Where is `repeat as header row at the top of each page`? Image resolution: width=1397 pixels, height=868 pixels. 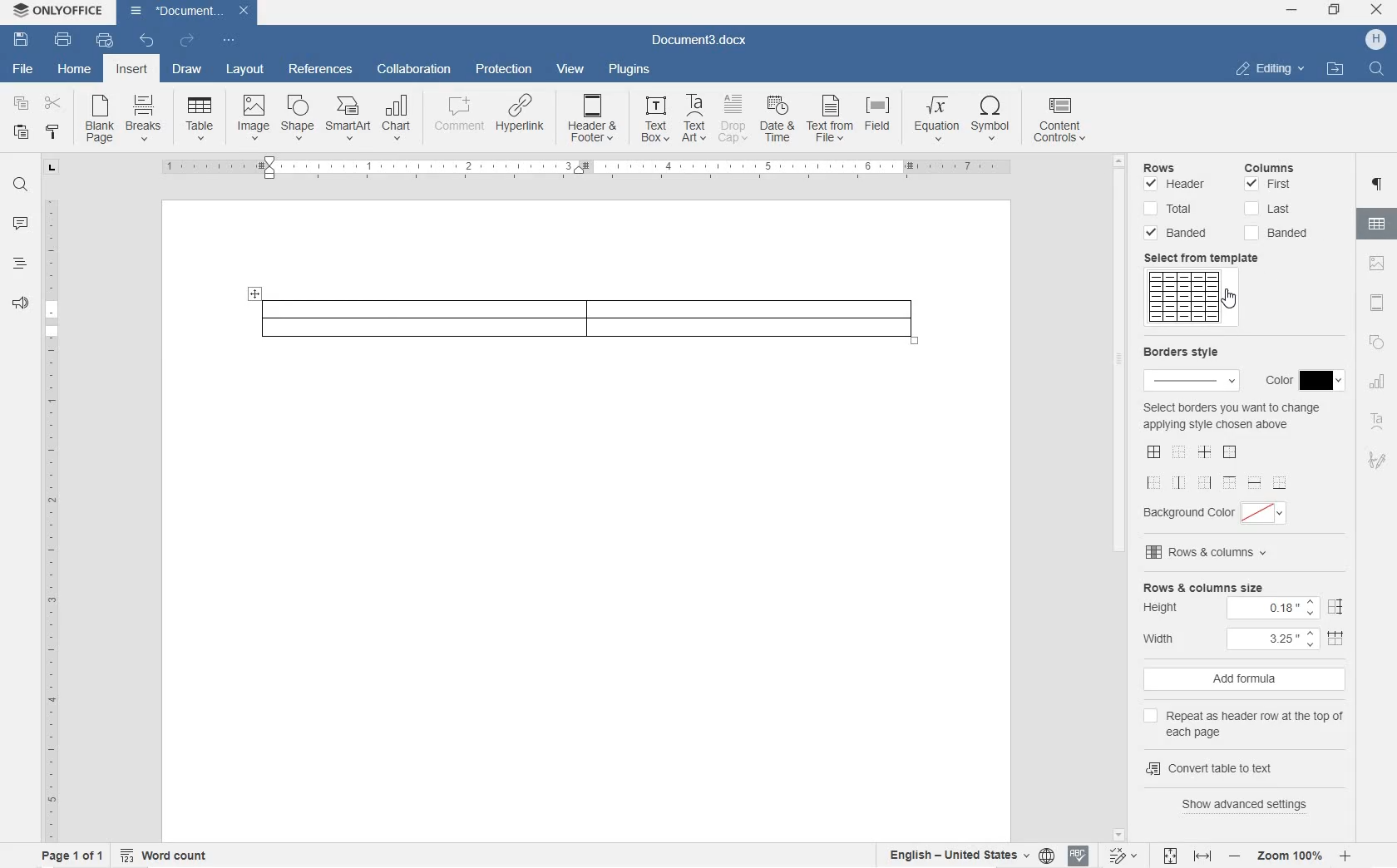
repeat as header row at the top of each page is located at coordinates (1248, 722).